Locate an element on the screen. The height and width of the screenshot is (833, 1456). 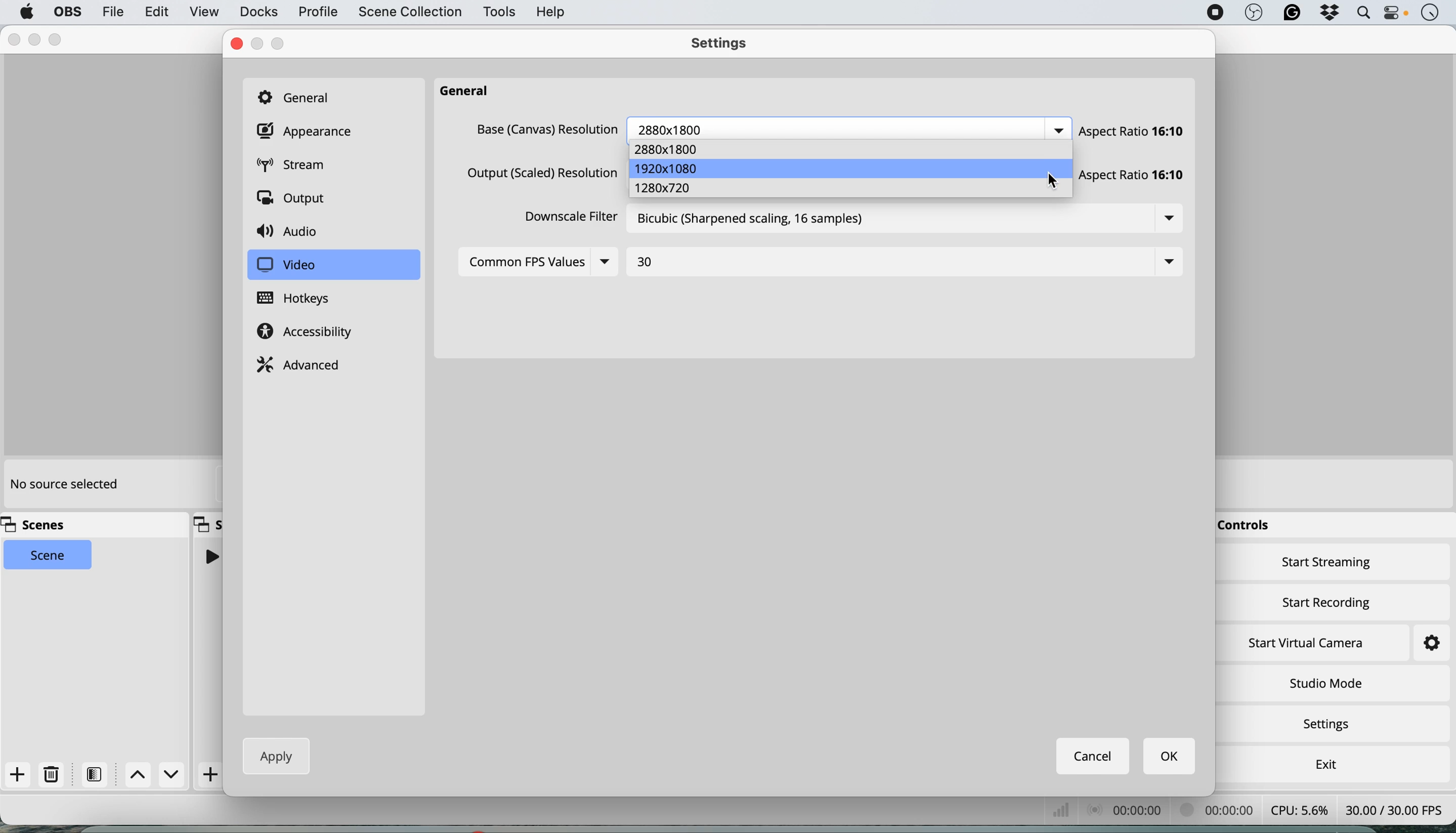
downscale filter is located at coordinates (566, 220).